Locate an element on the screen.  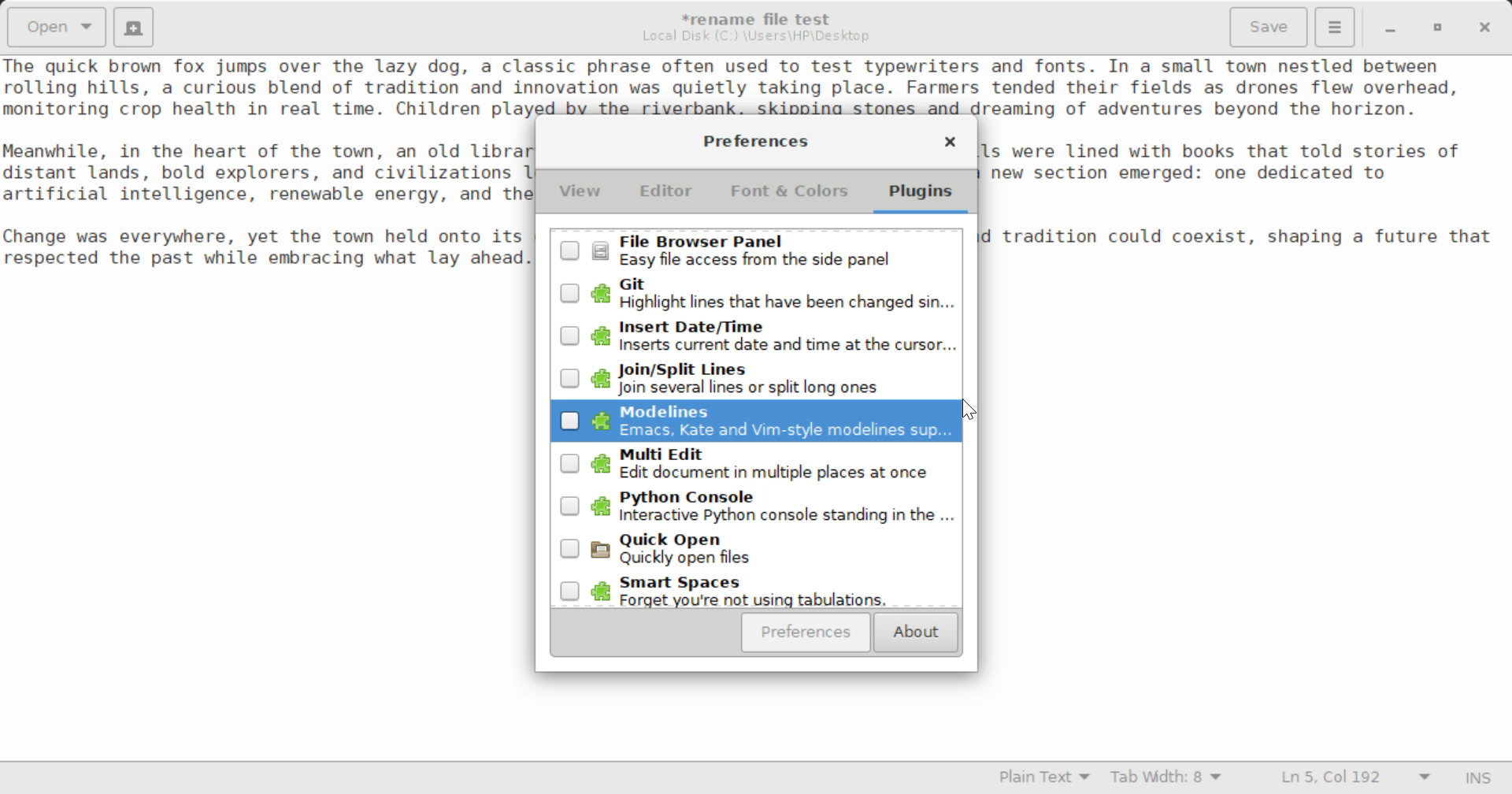
Selected Language is located at coordinates (1045, 779).